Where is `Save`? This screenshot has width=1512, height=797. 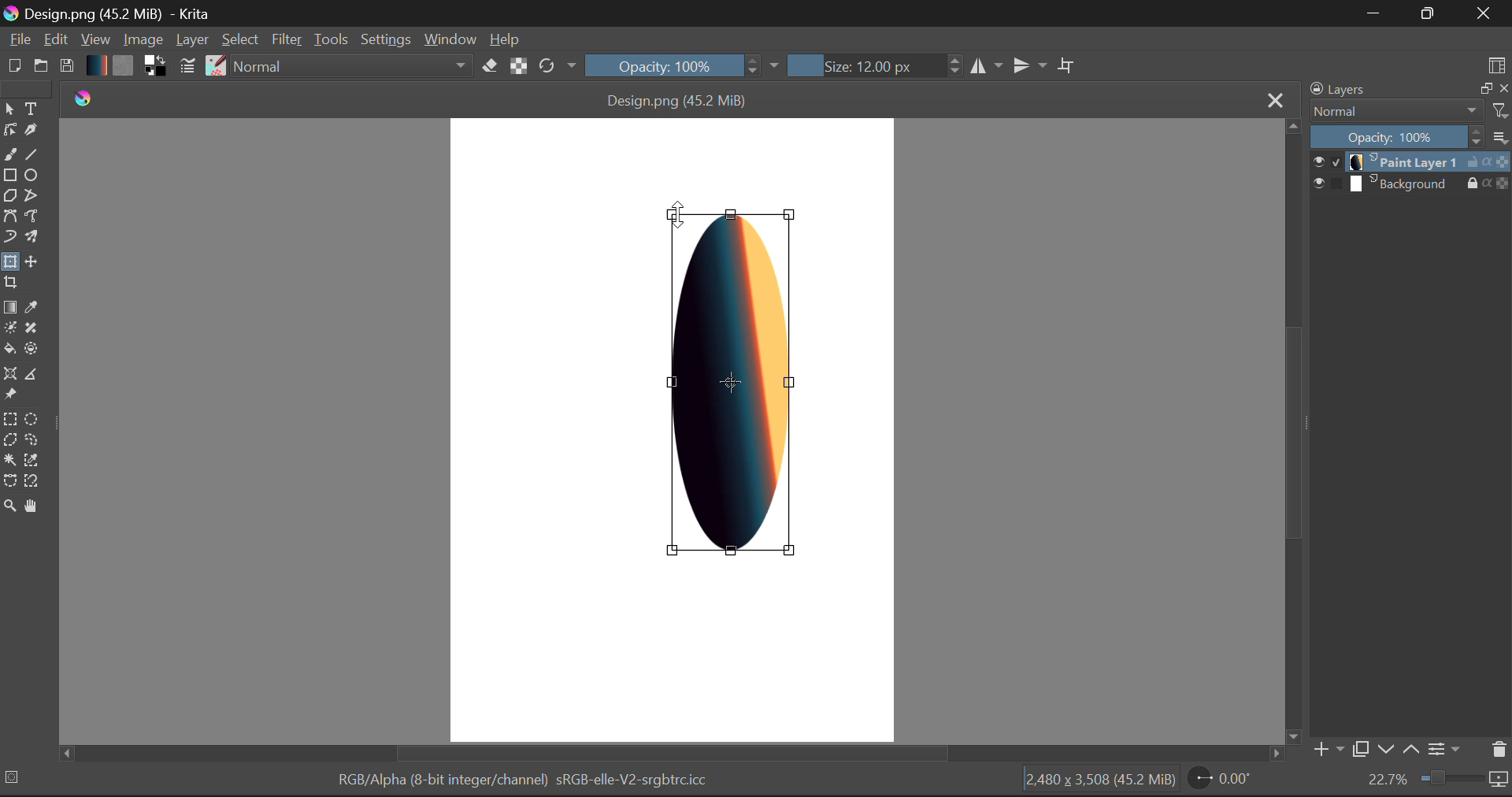
Save is located at coordinates (66, 66).